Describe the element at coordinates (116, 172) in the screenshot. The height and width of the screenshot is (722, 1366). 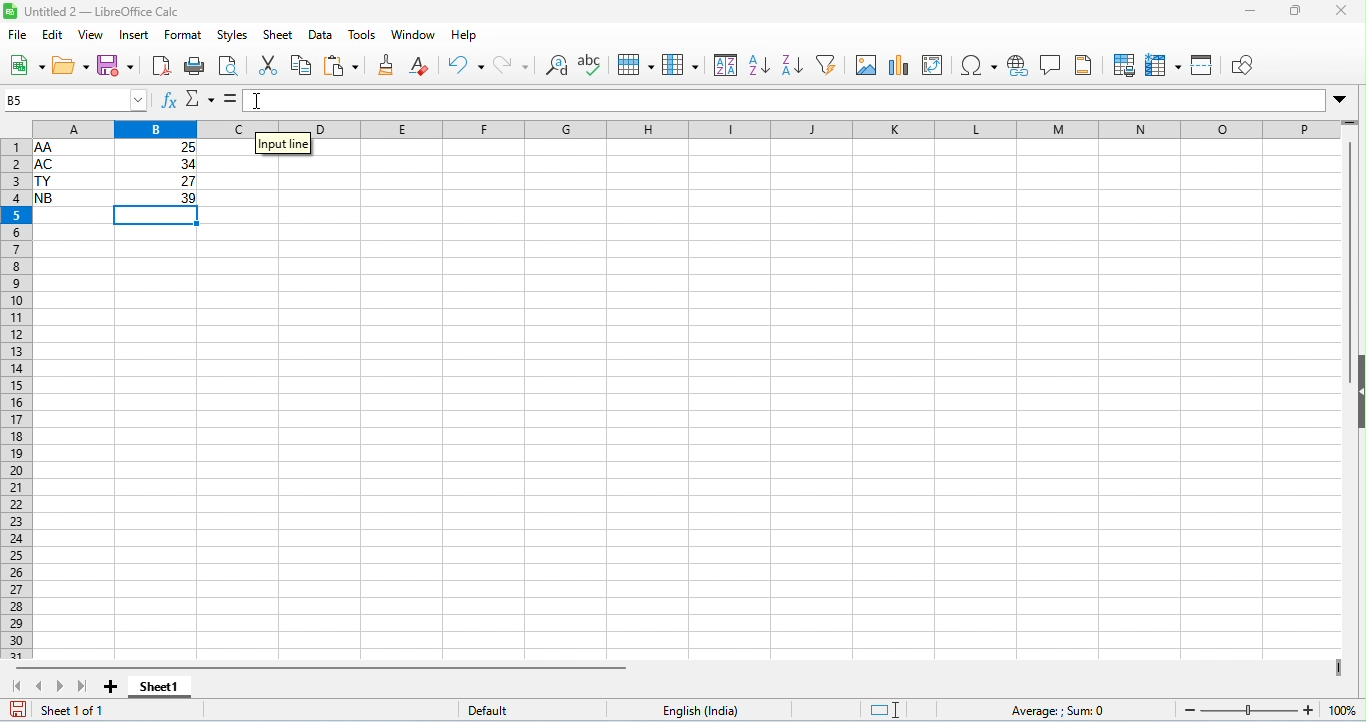
I see `range of cells` at that location.